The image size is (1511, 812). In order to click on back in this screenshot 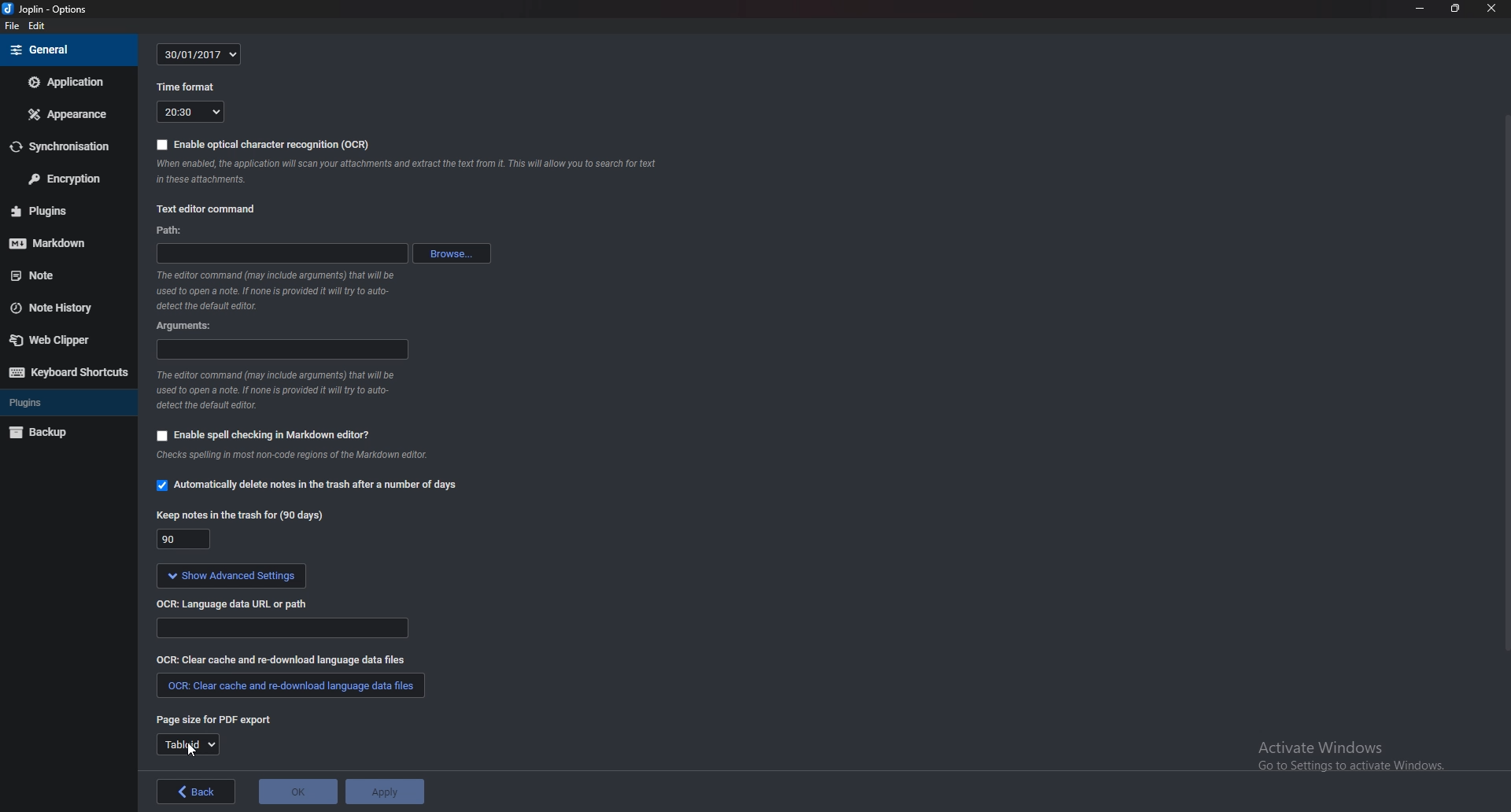, I will do `click(196, 792)`.